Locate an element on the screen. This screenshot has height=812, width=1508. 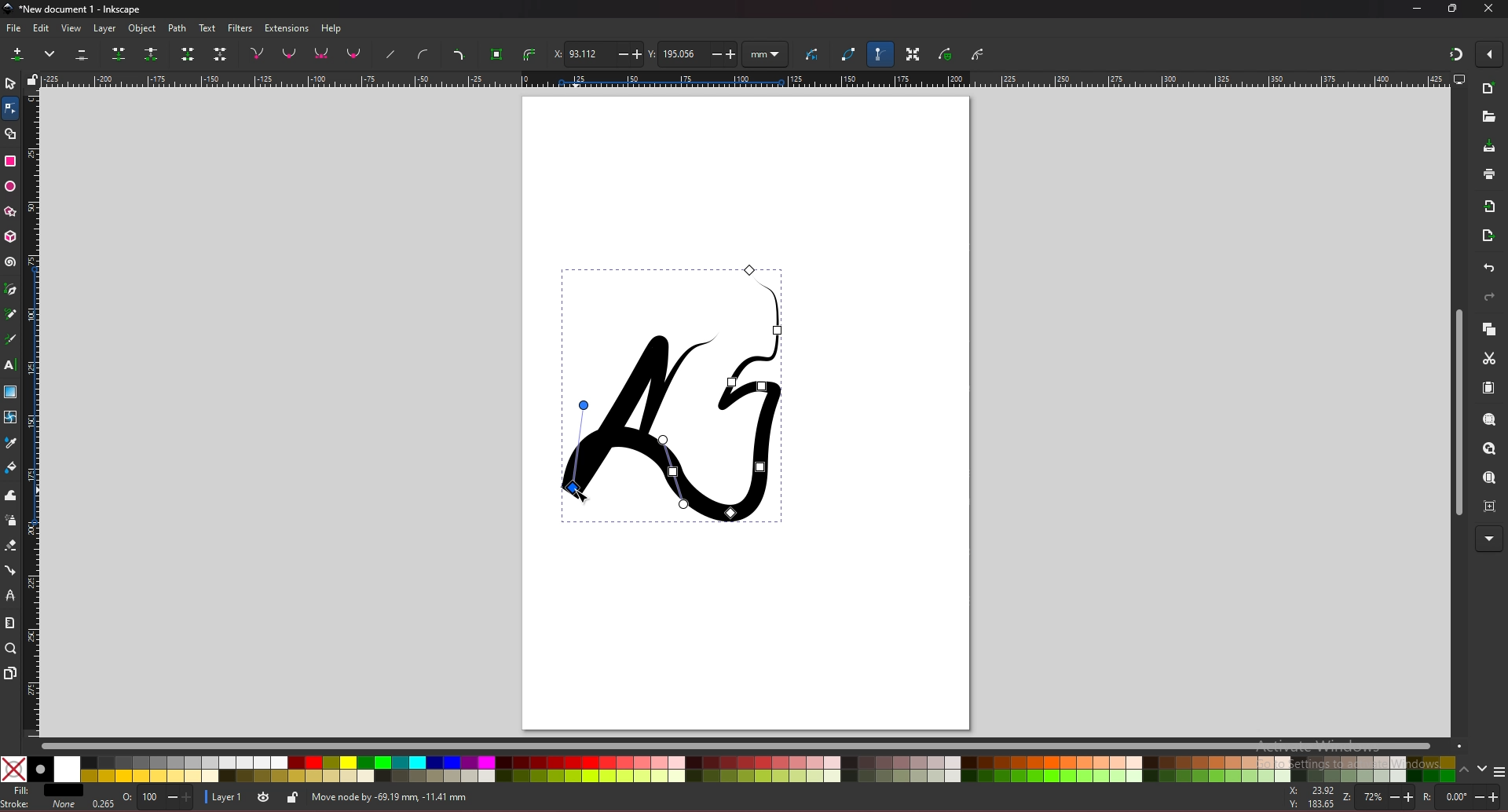
text is located at coordinates (10, 364).